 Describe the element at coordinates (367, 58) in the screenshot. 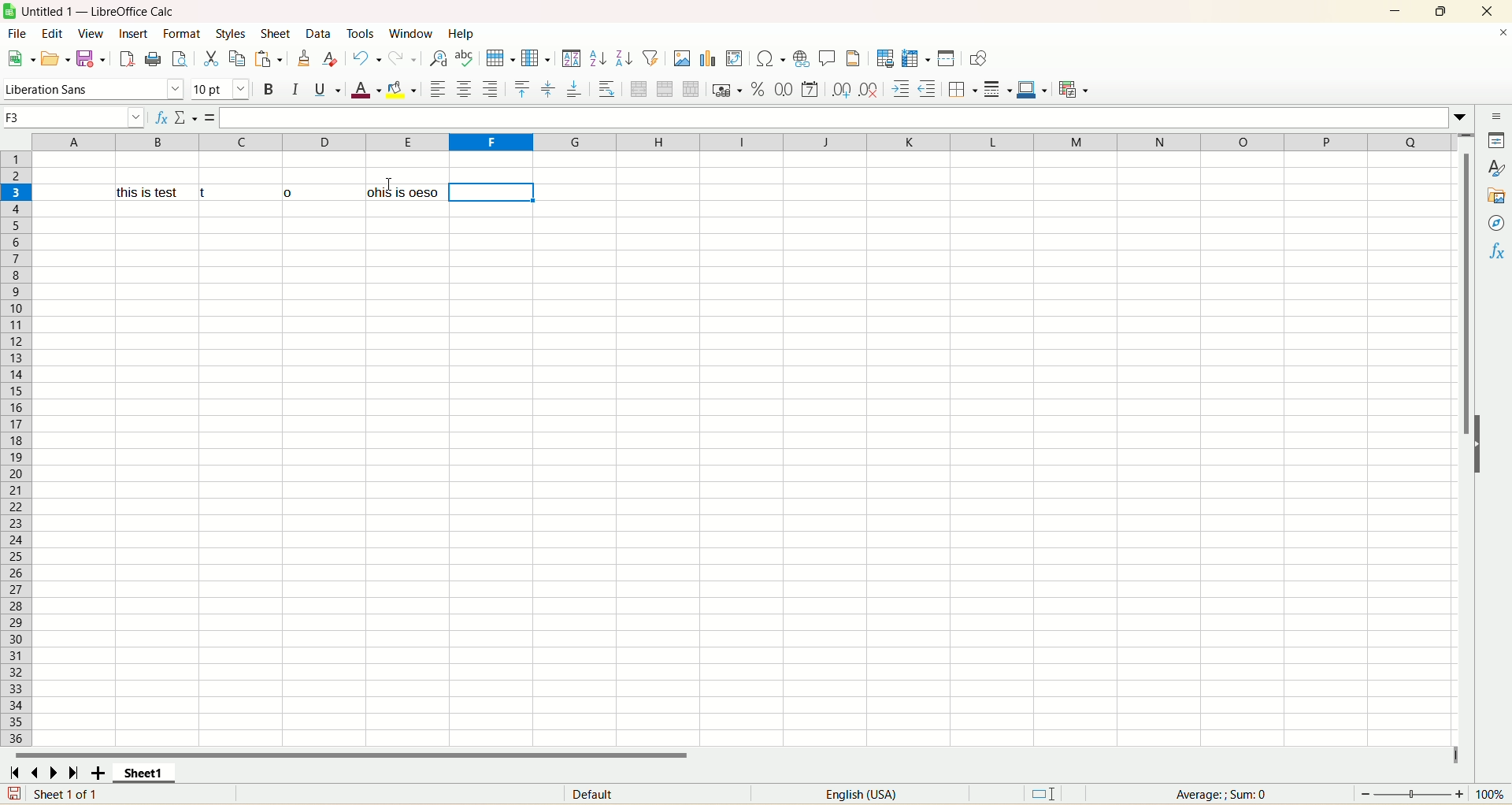

I see `undo` at that location.